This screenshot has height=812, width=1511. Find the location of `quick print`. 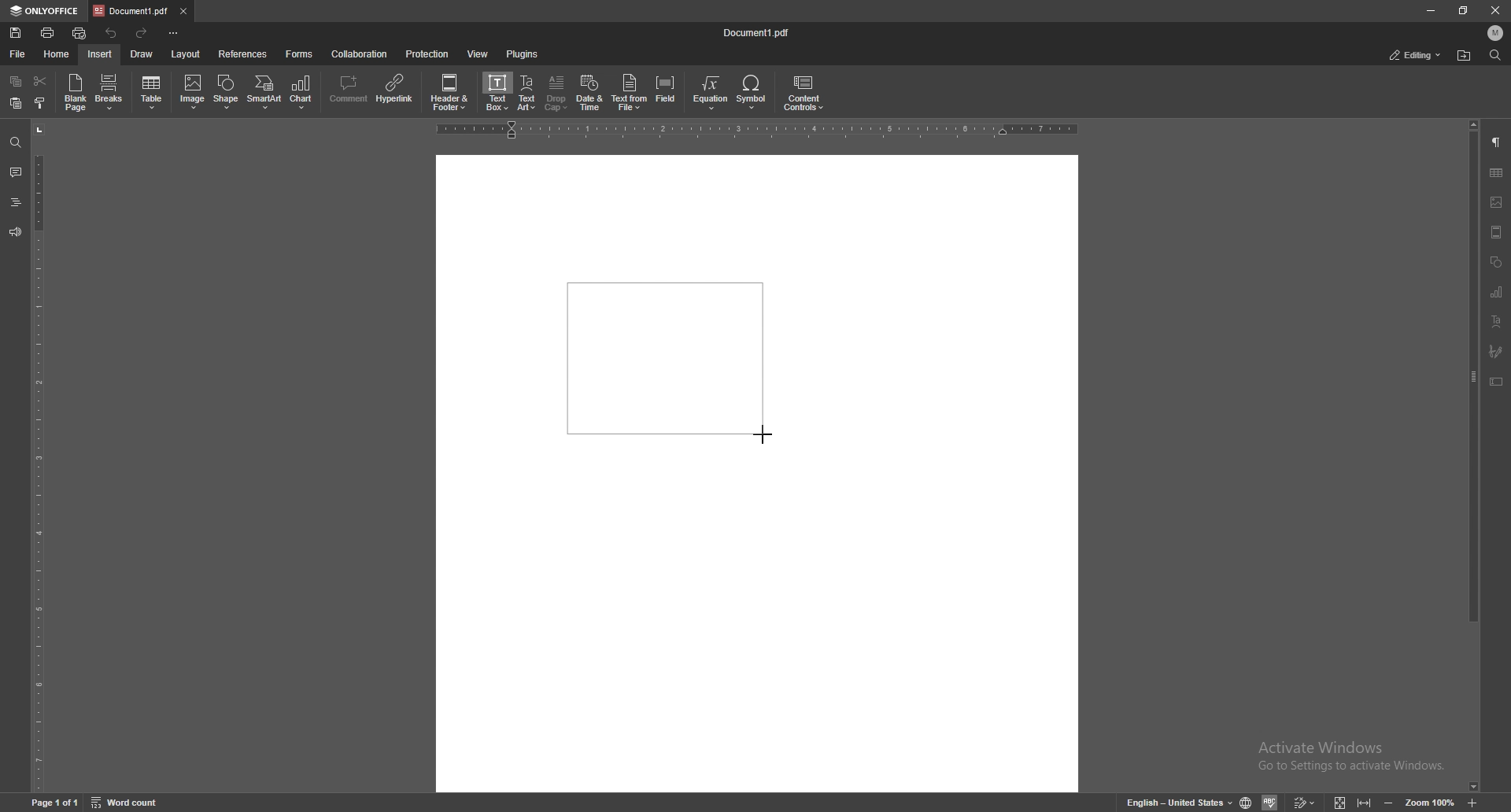

quick print is located at coordinates (79, 34).